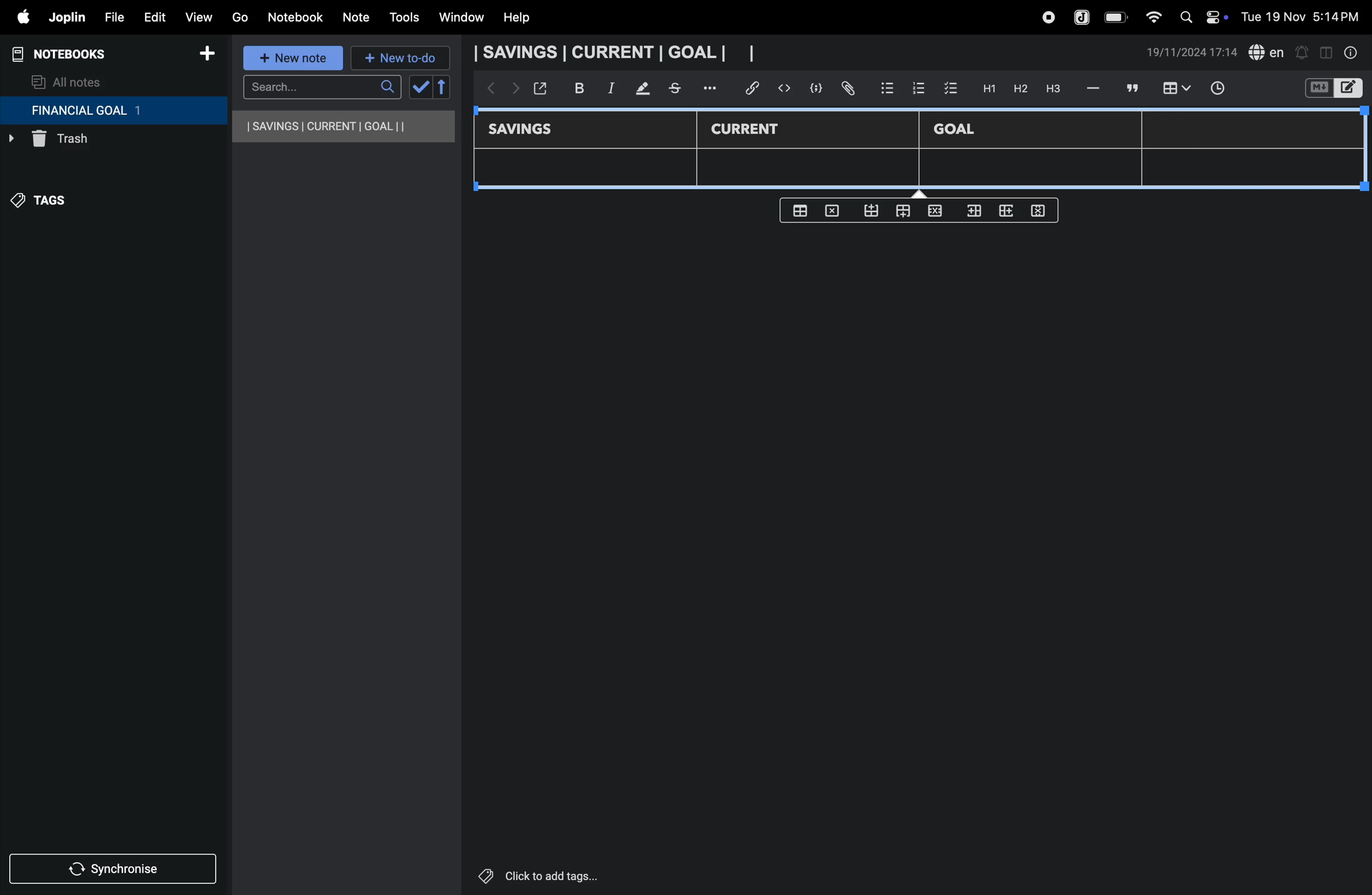 This screenshot has height=895, width=1372. I want to click on record, so click(1047, 17).